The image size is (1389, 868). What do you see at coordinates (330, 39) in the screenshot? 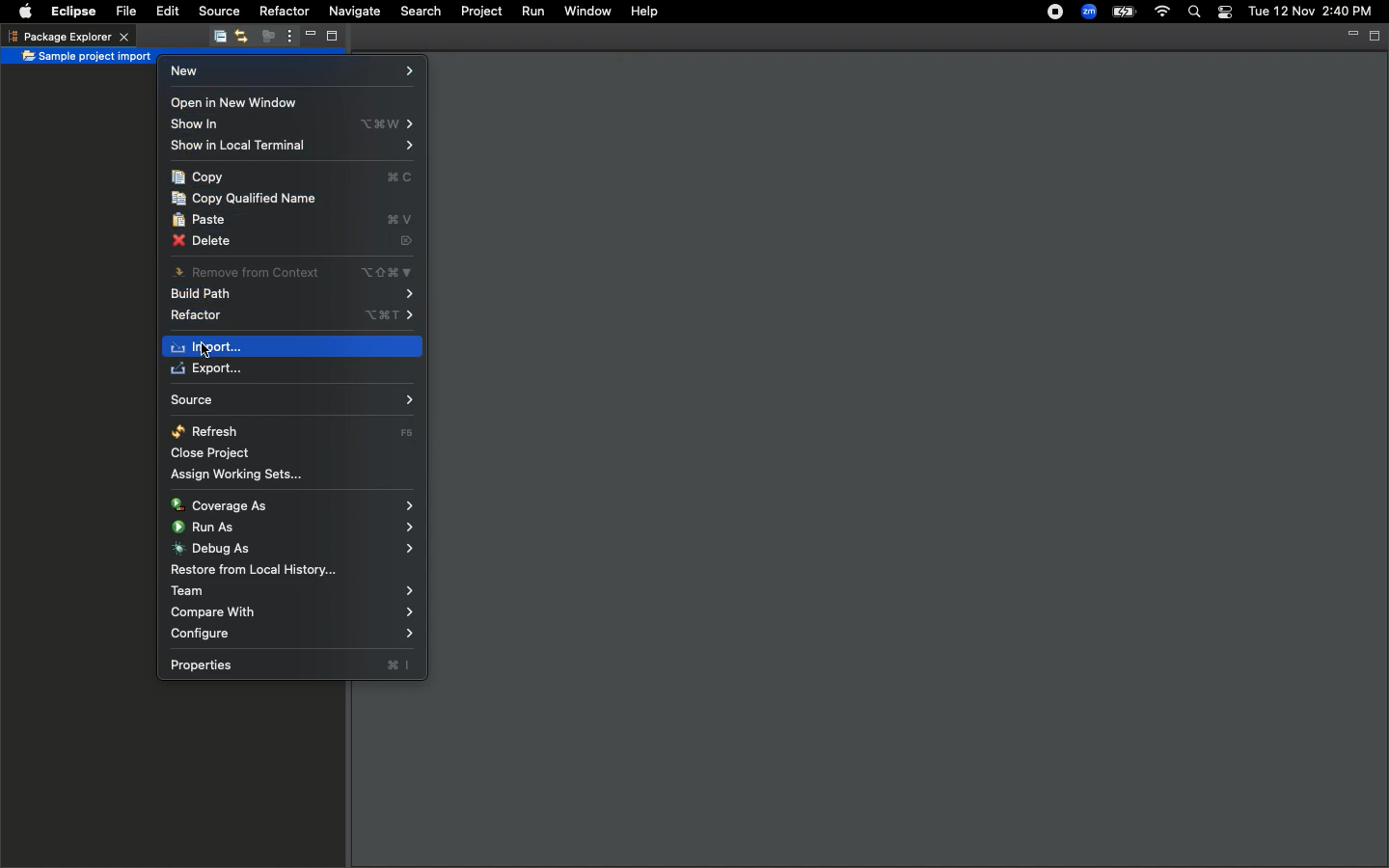
I see `Maximize` at bounding box center [330, 39].